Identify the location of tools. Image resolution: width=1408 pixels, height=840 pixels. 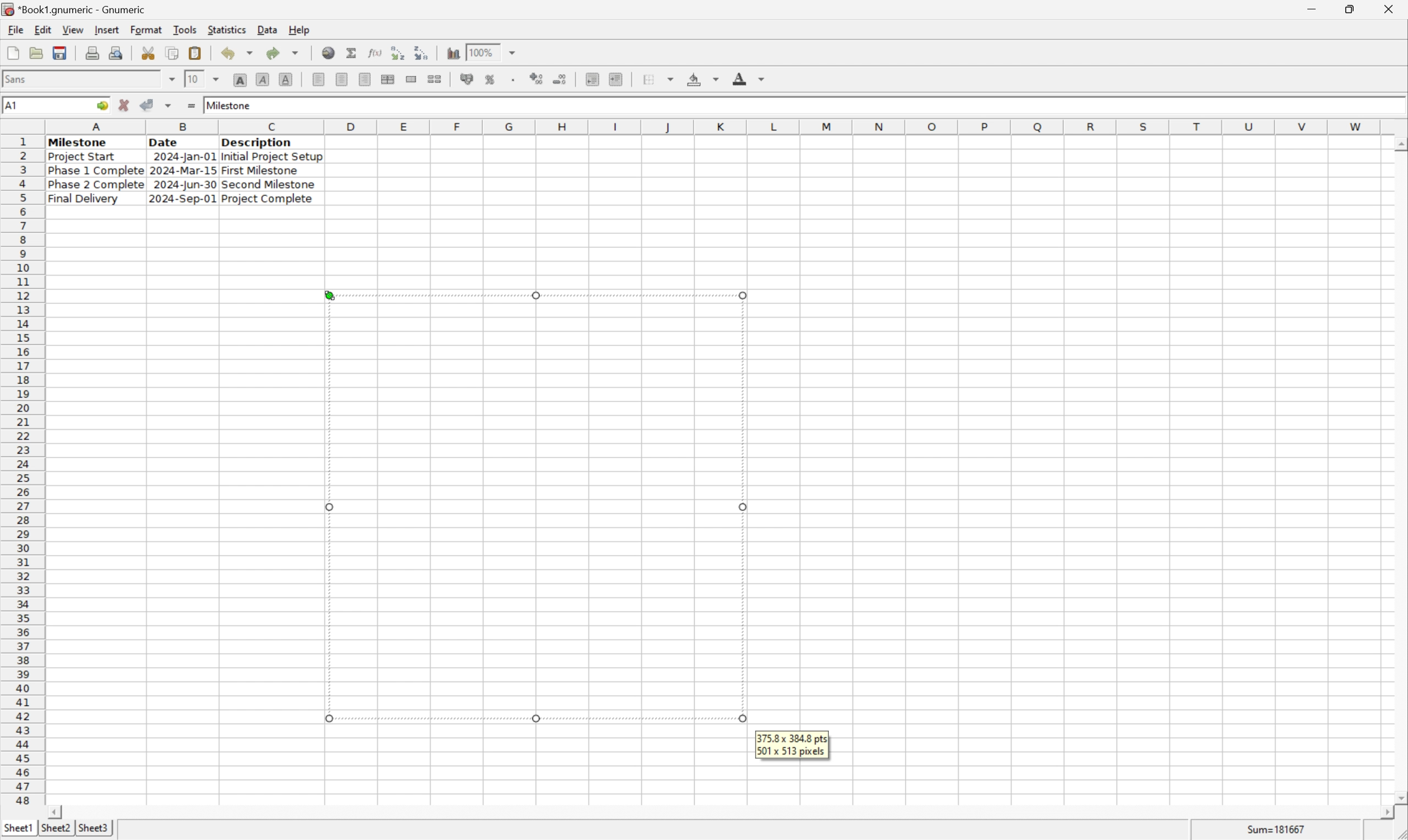
(186, 29).